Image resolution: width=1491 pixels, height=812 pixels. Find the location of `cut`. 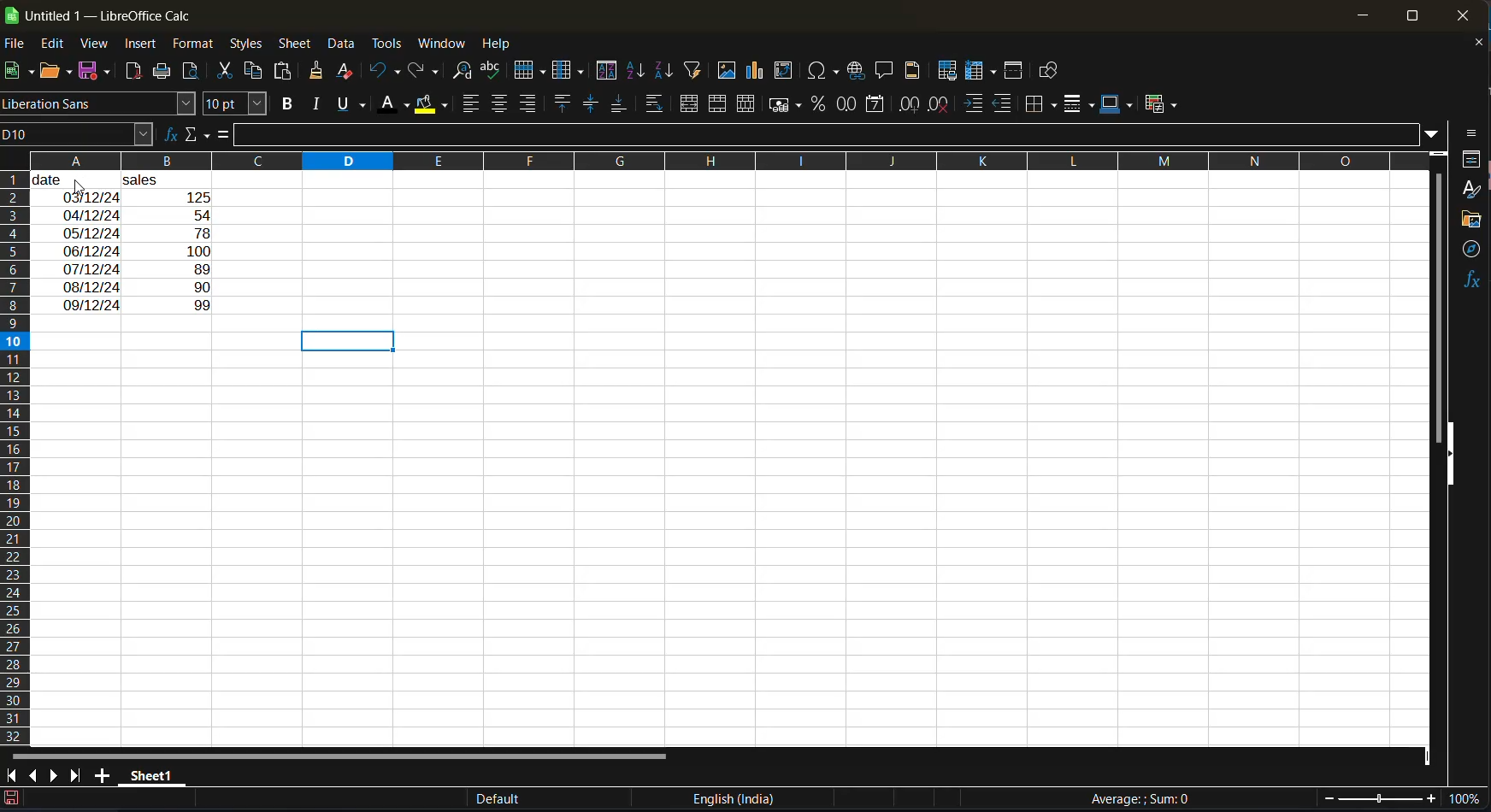

cut is located at coordinates (227, 70).